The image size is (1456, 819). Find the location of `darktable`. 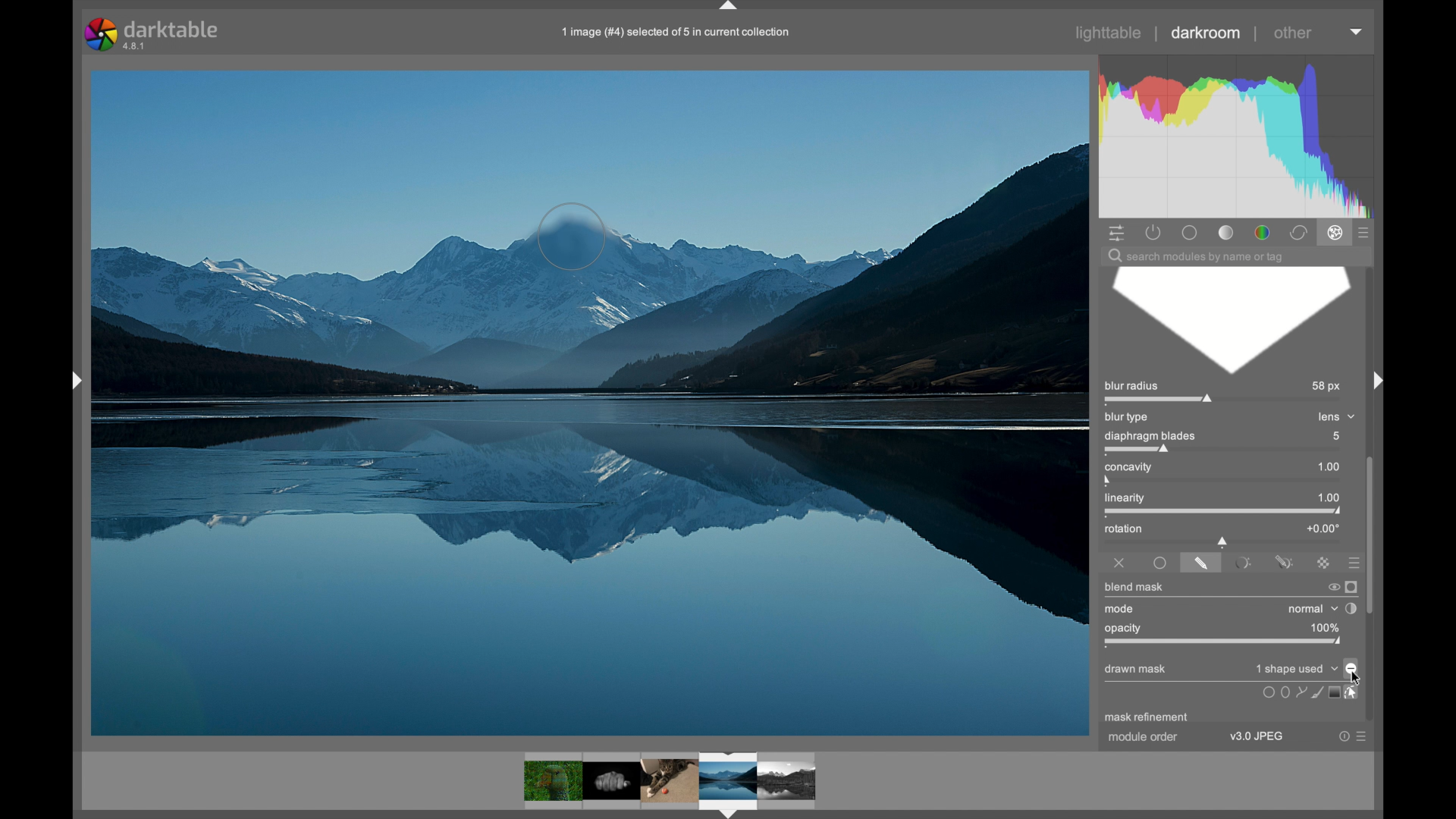

darktable is located at coordinates (151, 33).